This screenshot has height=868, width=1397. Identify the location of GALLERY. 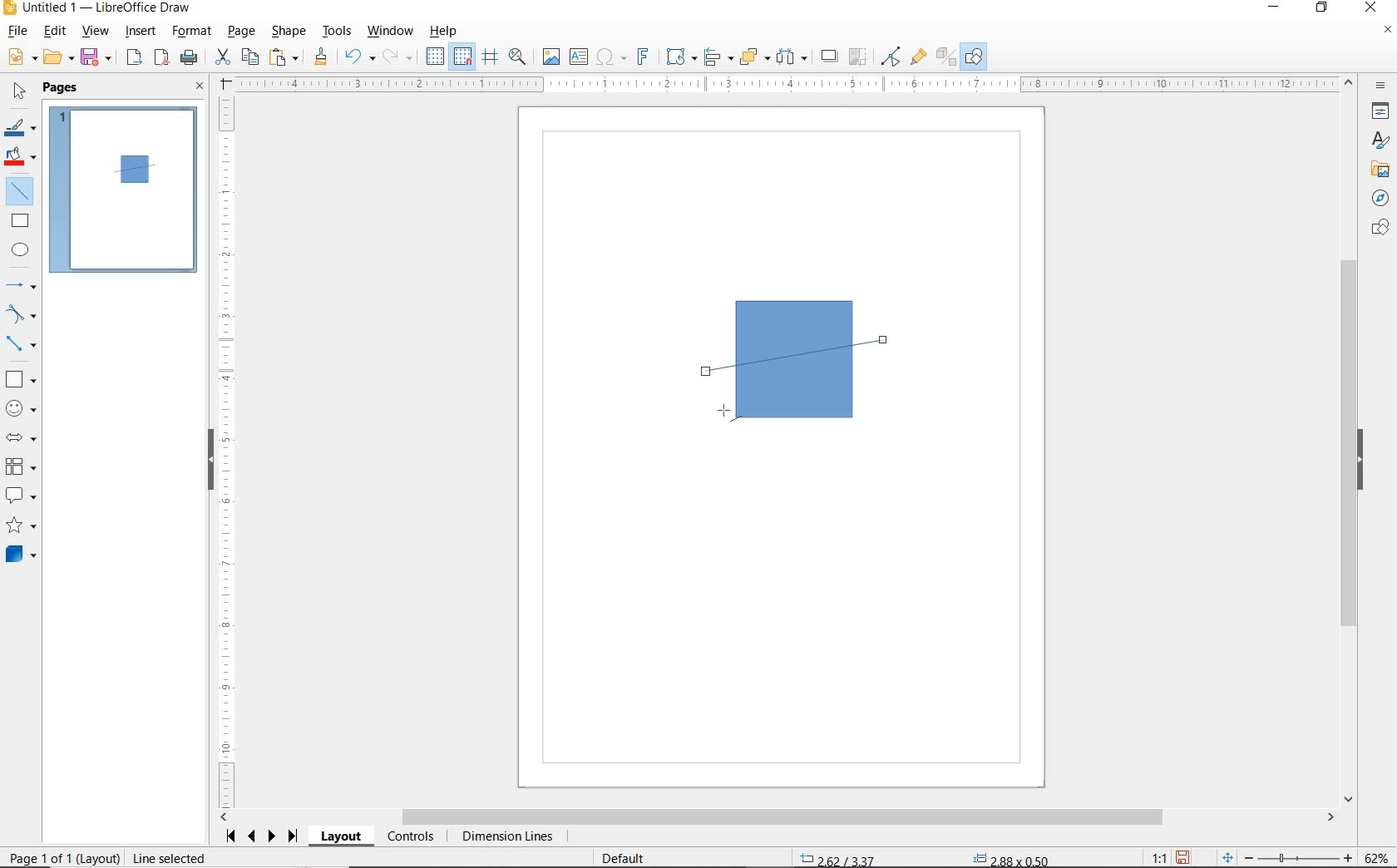
(1378, 168).